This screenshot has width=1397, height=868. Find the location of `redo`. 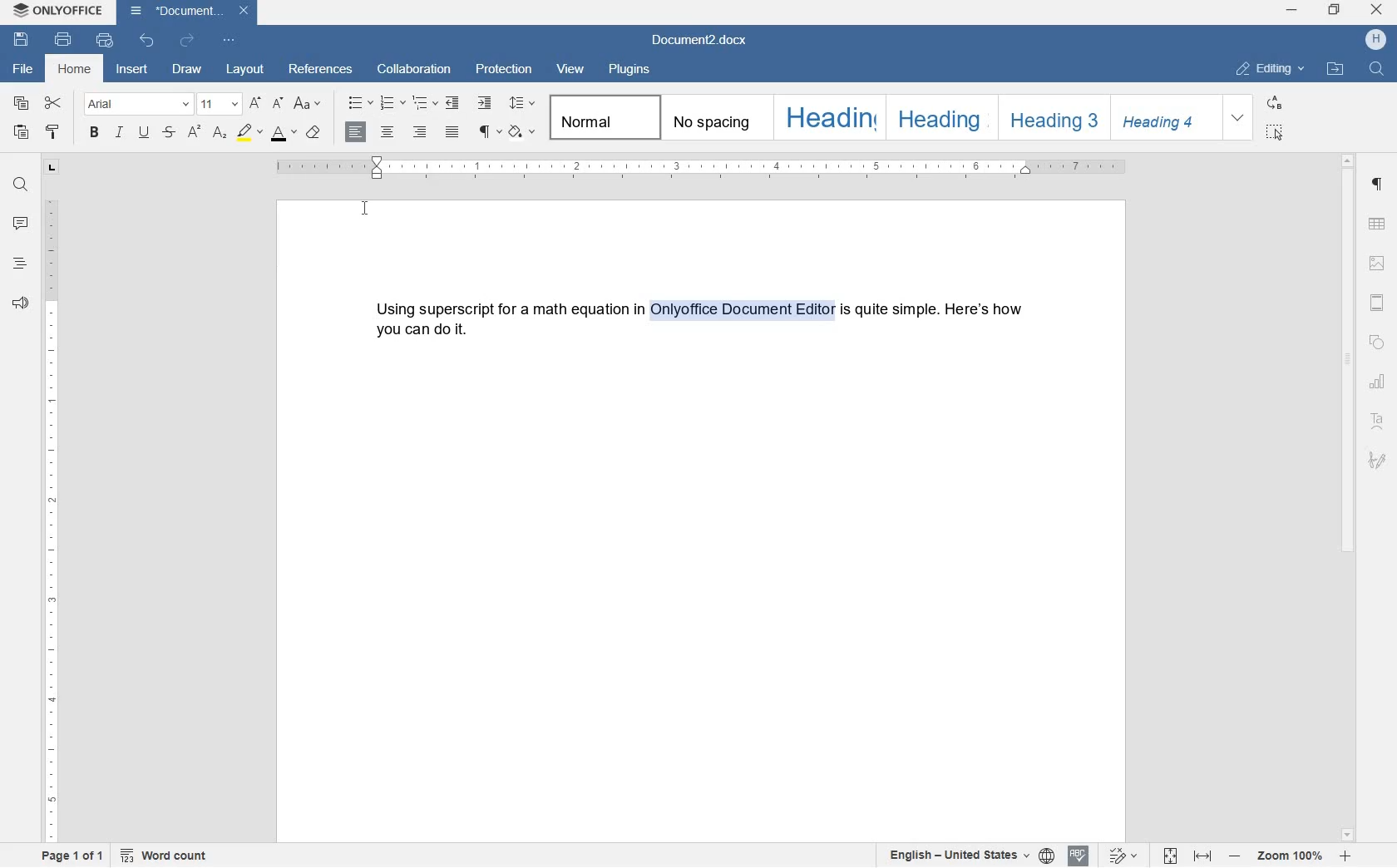

redo is located at coordinates (185, 40).